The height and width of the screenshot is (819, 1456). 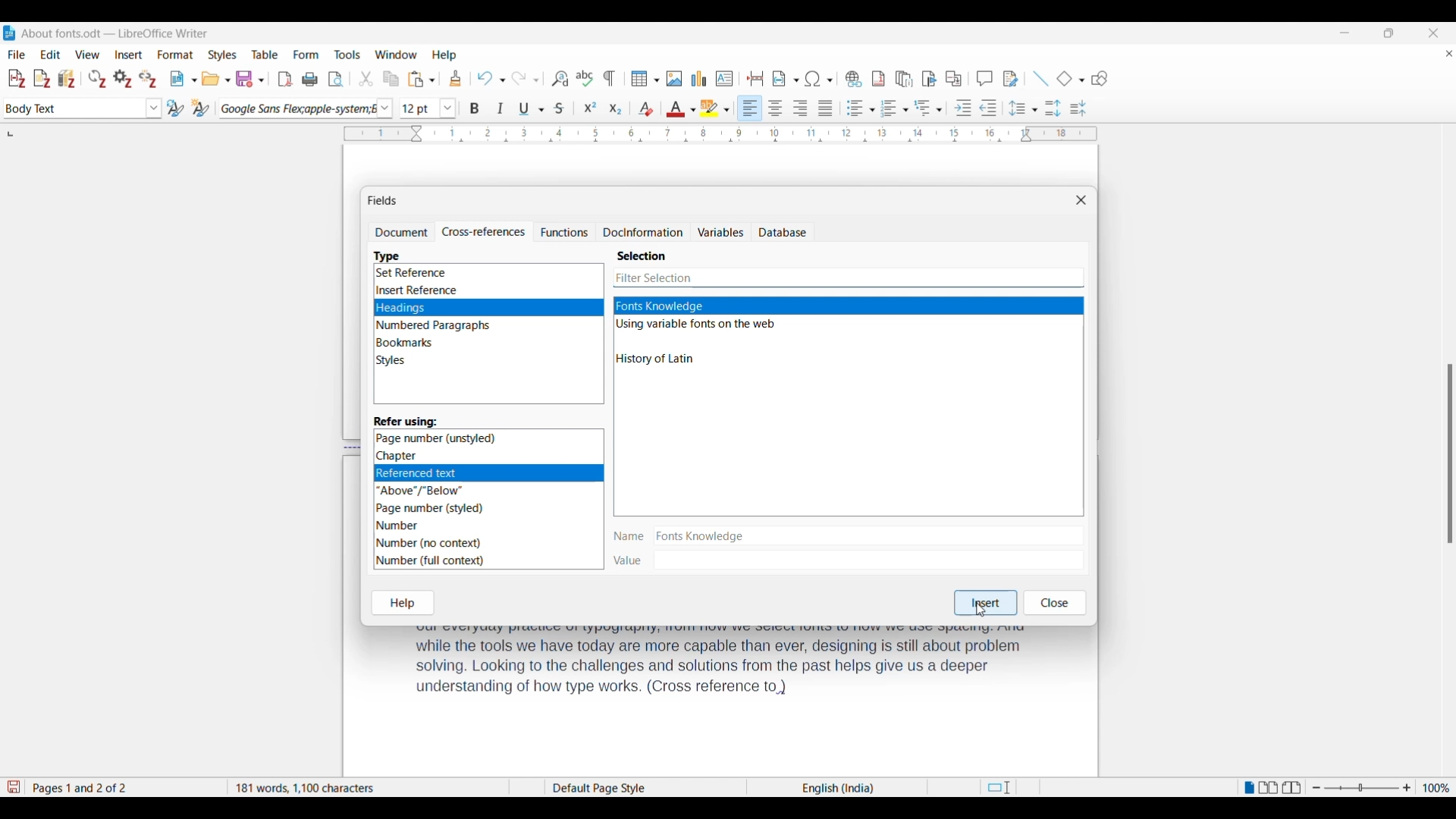 What do you see at coordinates (1447, 453) in the screenshot?
I see `scroll bar` at bounding box center [1447, 453].